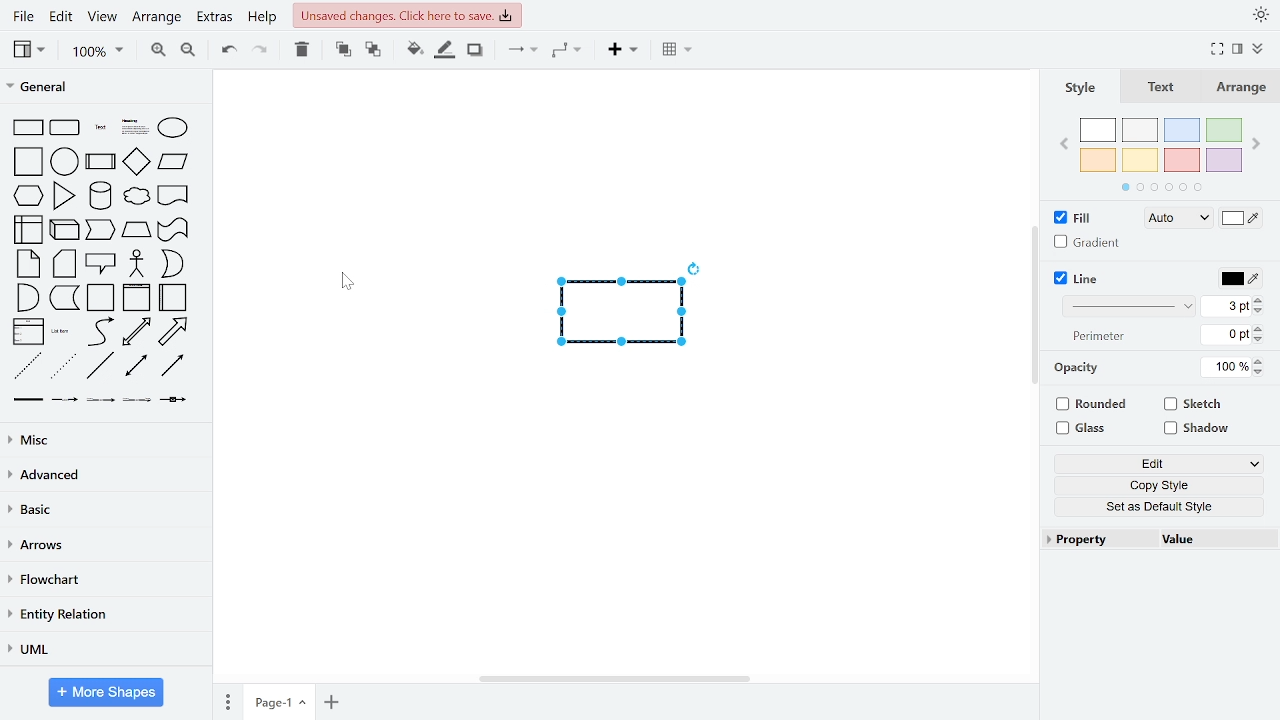 The image size is (1280, 720). What do you see at coordinates (98, 161) in the screenshot?
I see `general shapes` at bounding box center [98, 161].